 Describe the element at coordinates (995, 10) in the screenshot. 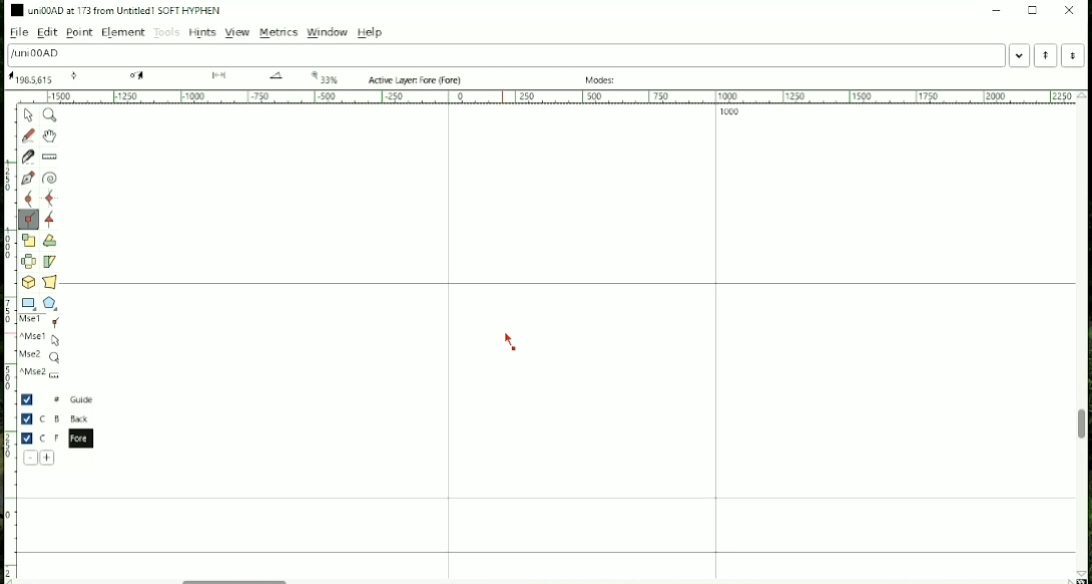

I see `Minimize` at that location.